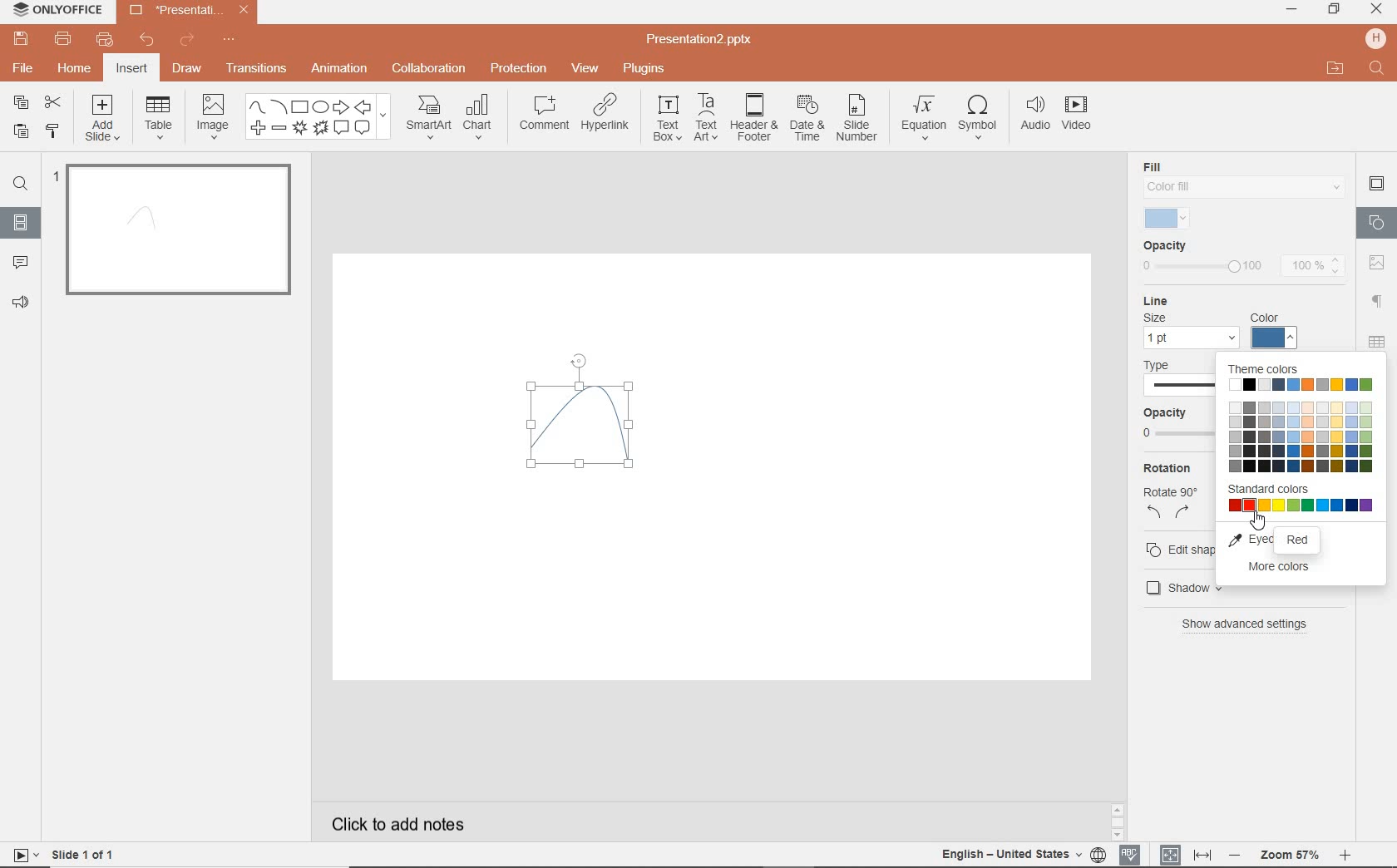 The height and width of the screenshot is (868, 1397). Describe the element at coordinates (608, 116) in the screenshot. I see `HYPERLINK` at that location.